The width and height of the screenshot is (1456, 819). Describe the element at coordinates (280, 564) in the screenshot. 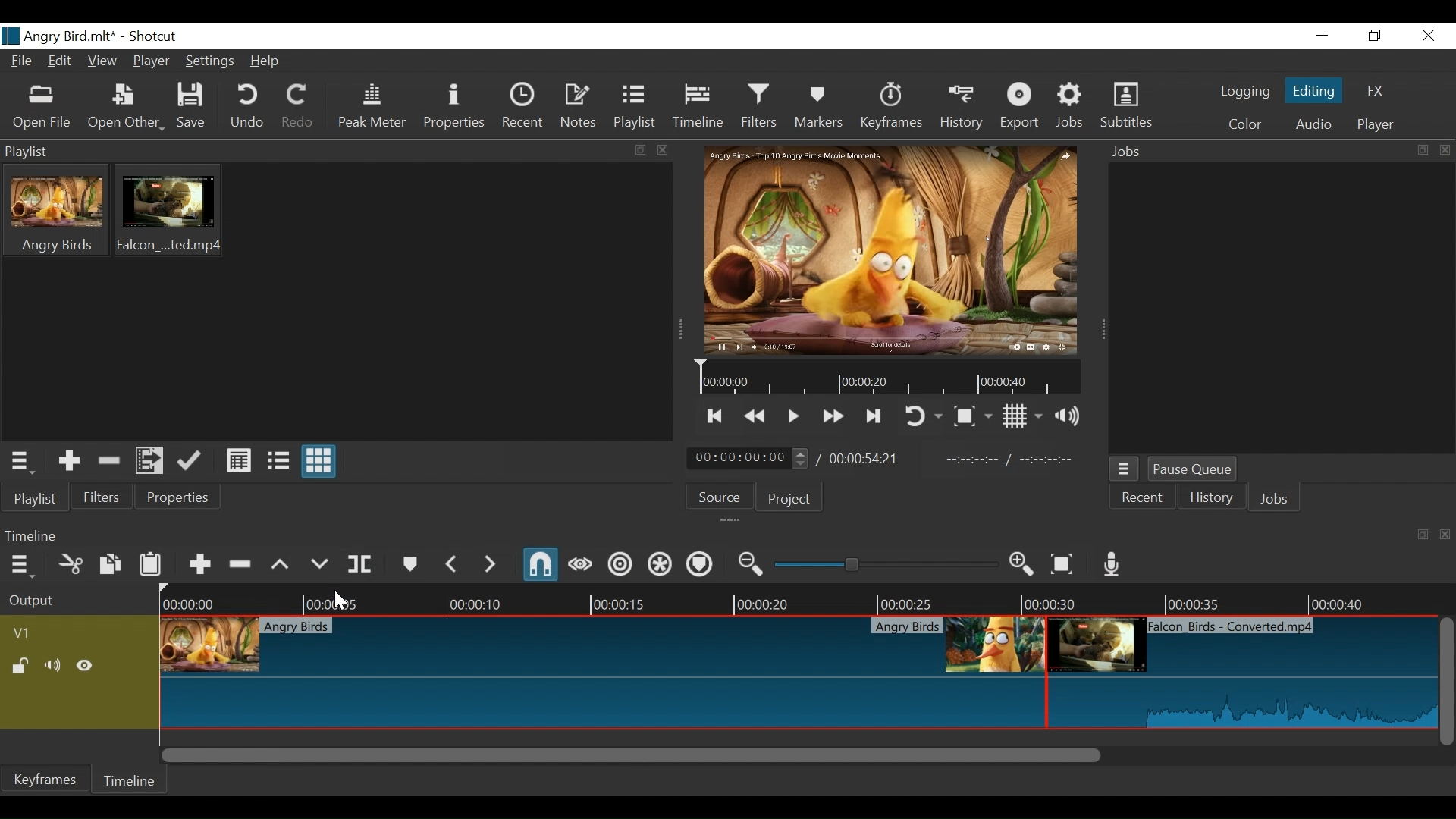

I see `lift` at that location.